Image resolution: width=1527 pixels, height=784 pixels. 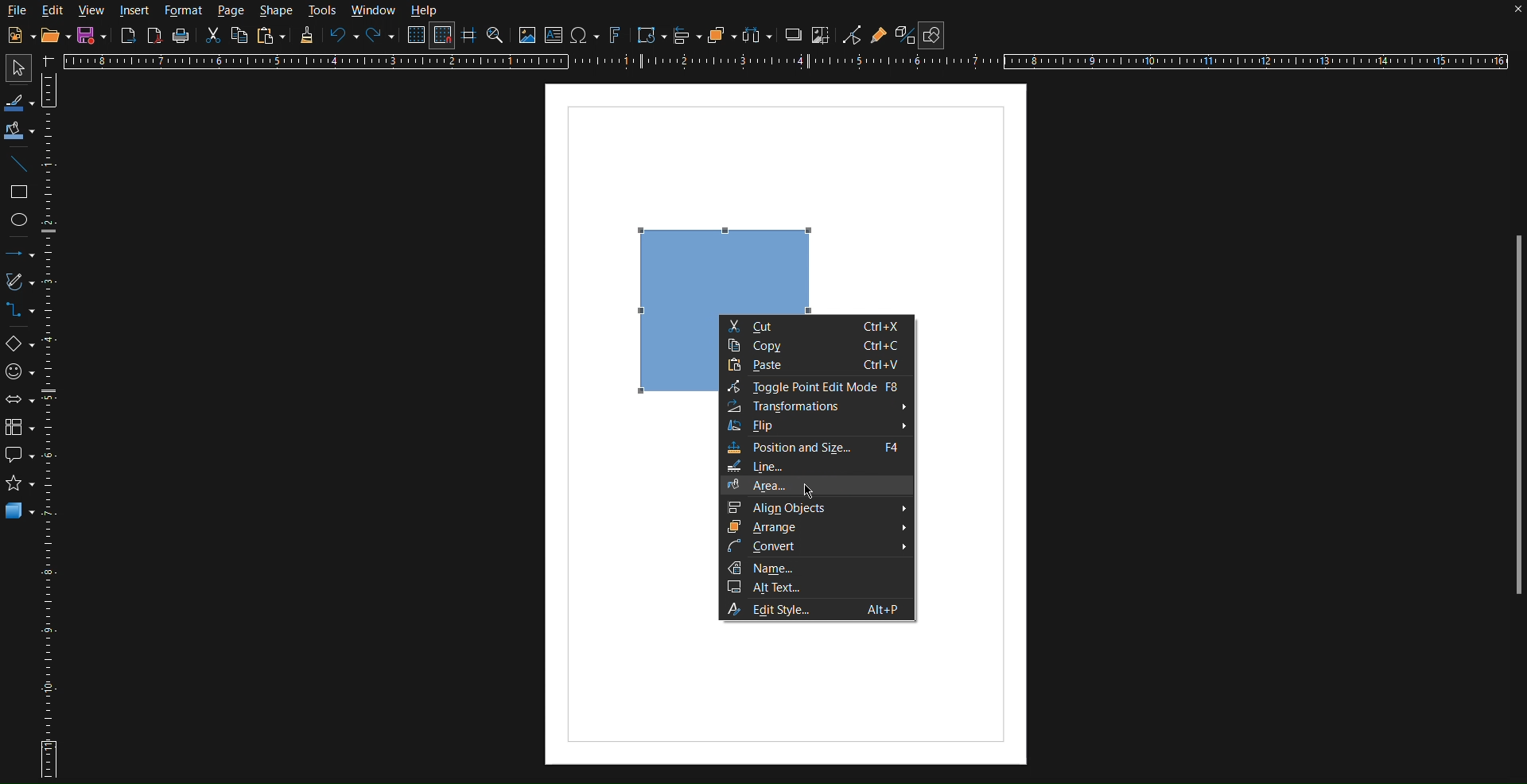 I want to click on Toggle Point Edit Mode, so click(x=852, y=35).